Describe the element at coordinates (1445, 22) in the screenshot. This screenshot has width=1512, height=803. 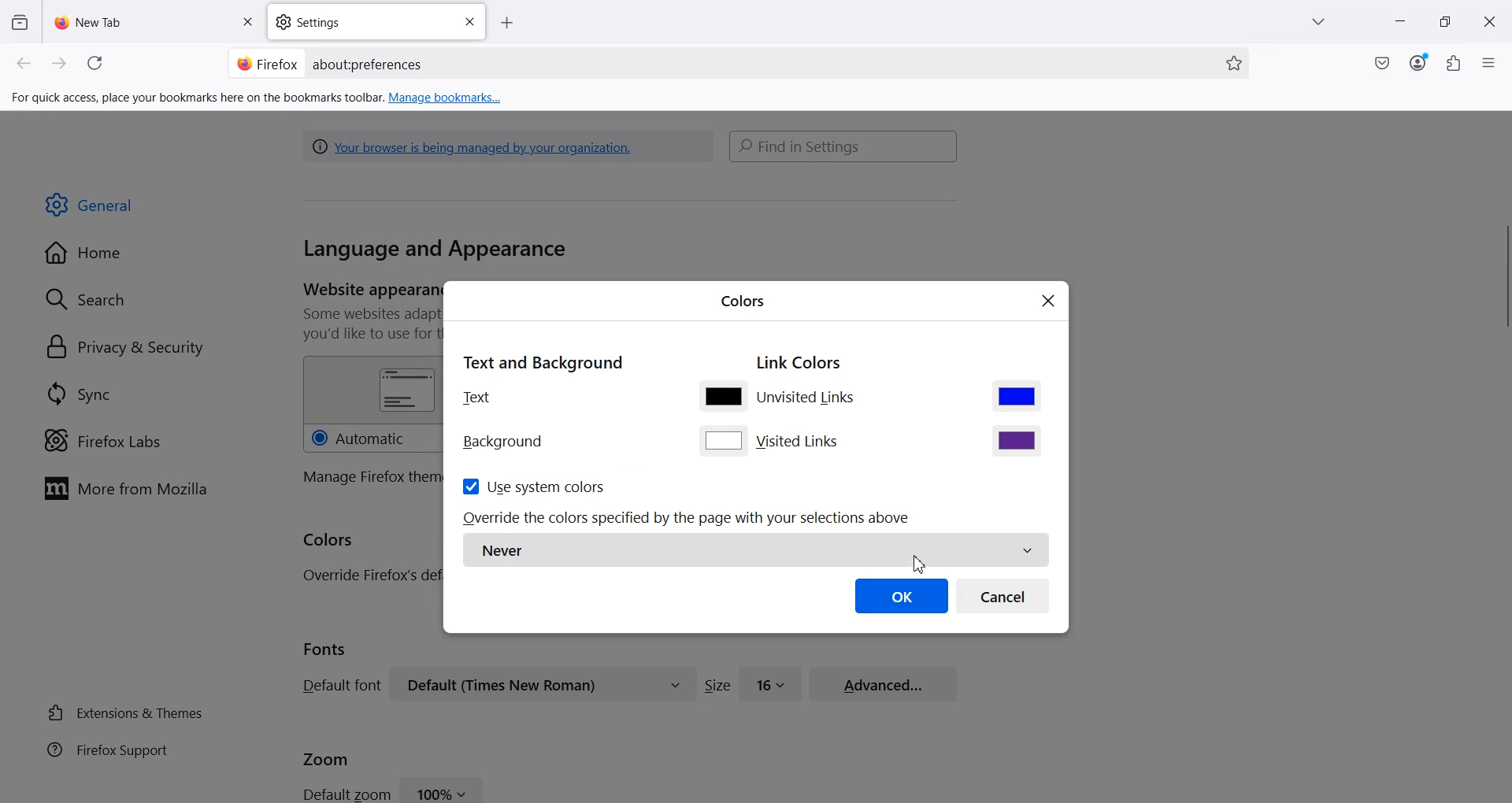
I see `Maximize` at that location.